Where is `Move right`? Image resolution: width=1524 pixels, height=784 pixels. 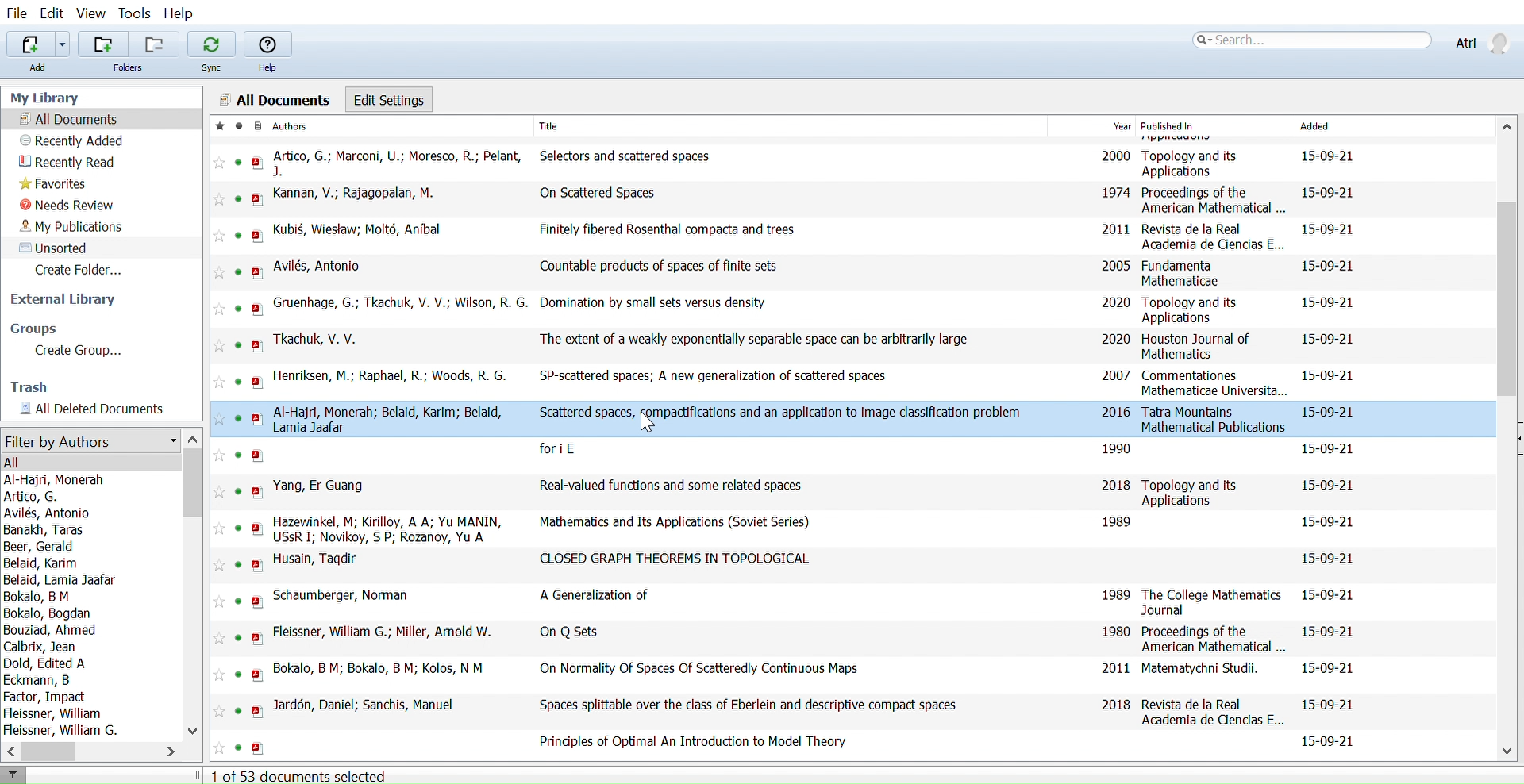 Move right is located at coordinates (167, 750).